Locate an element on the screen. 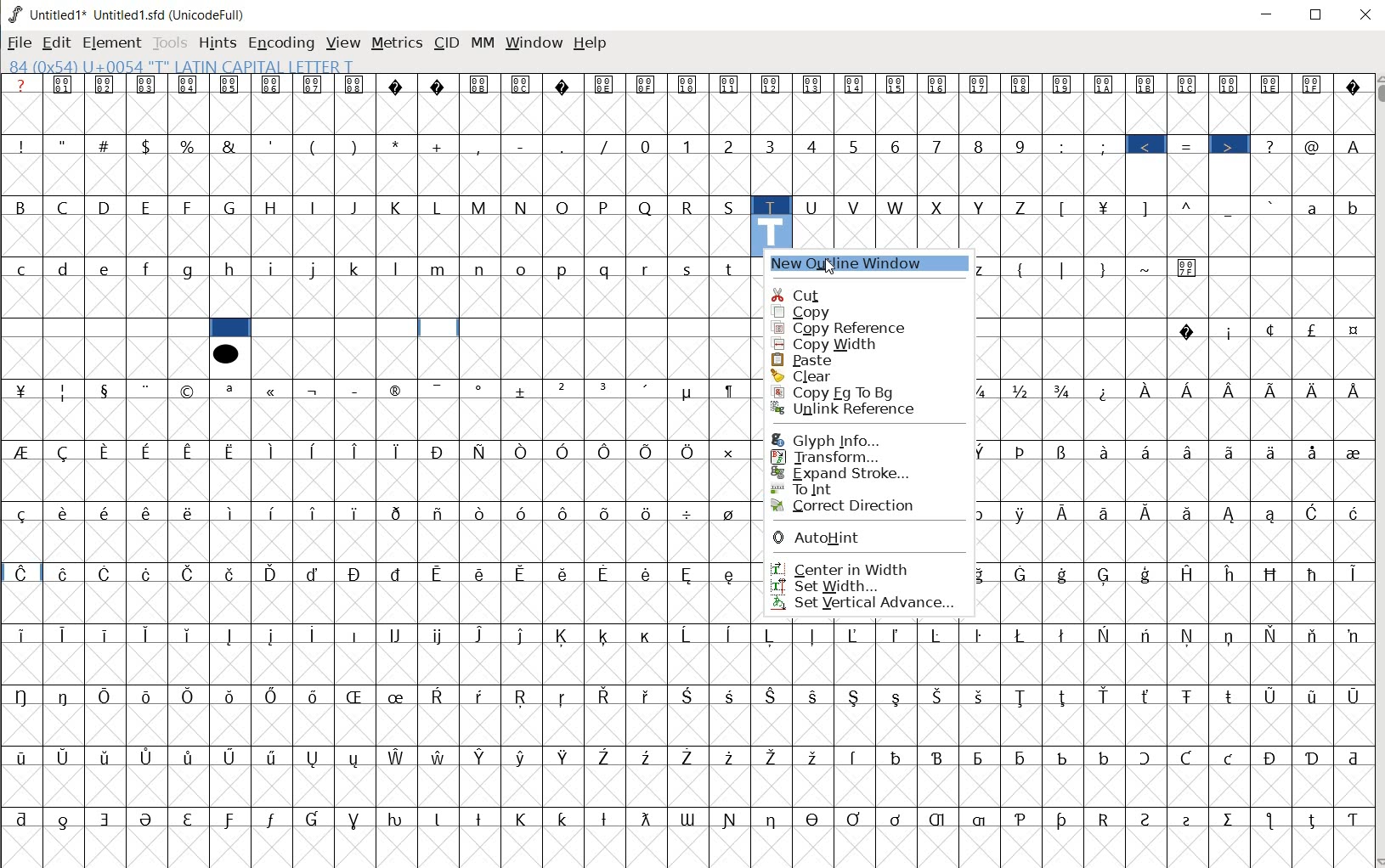  j is located at coordinates (315, 268).